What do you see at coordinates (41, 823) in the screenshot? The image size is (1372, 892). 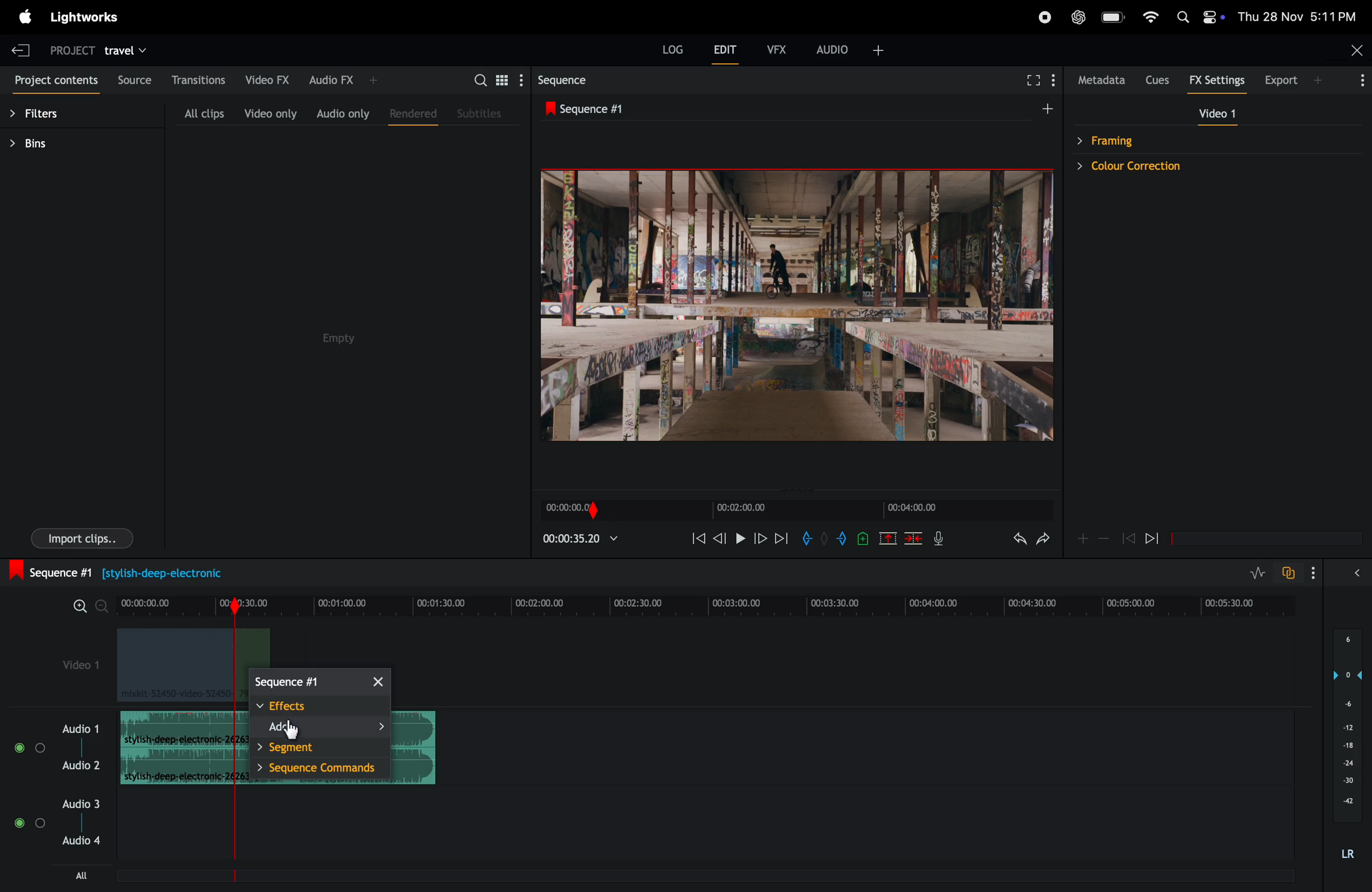 I see `Toggle` at bounding box center [41, 823].